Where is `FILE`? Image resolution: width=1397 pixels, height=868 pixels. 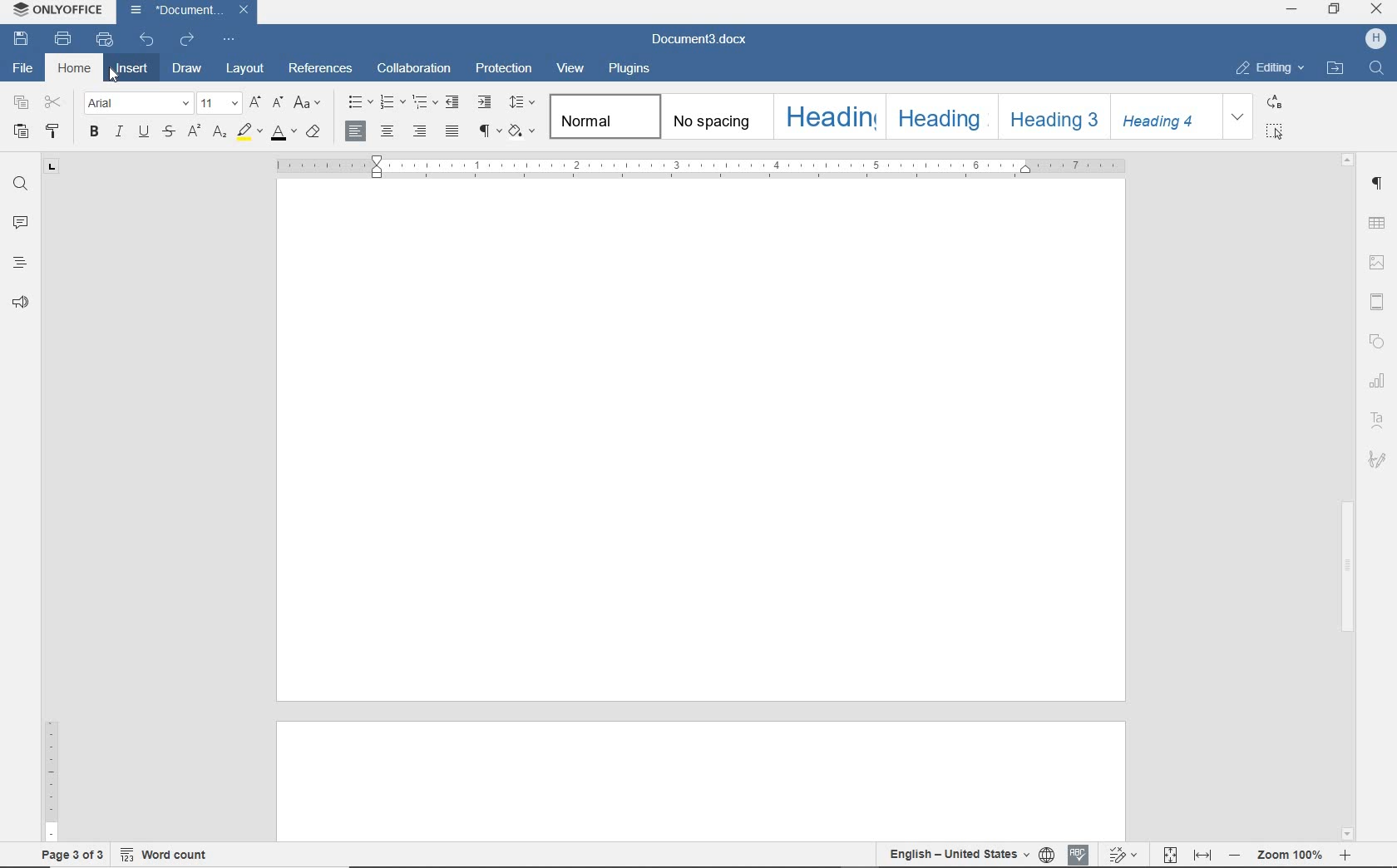 FILE is located at coordinates (25, 70).